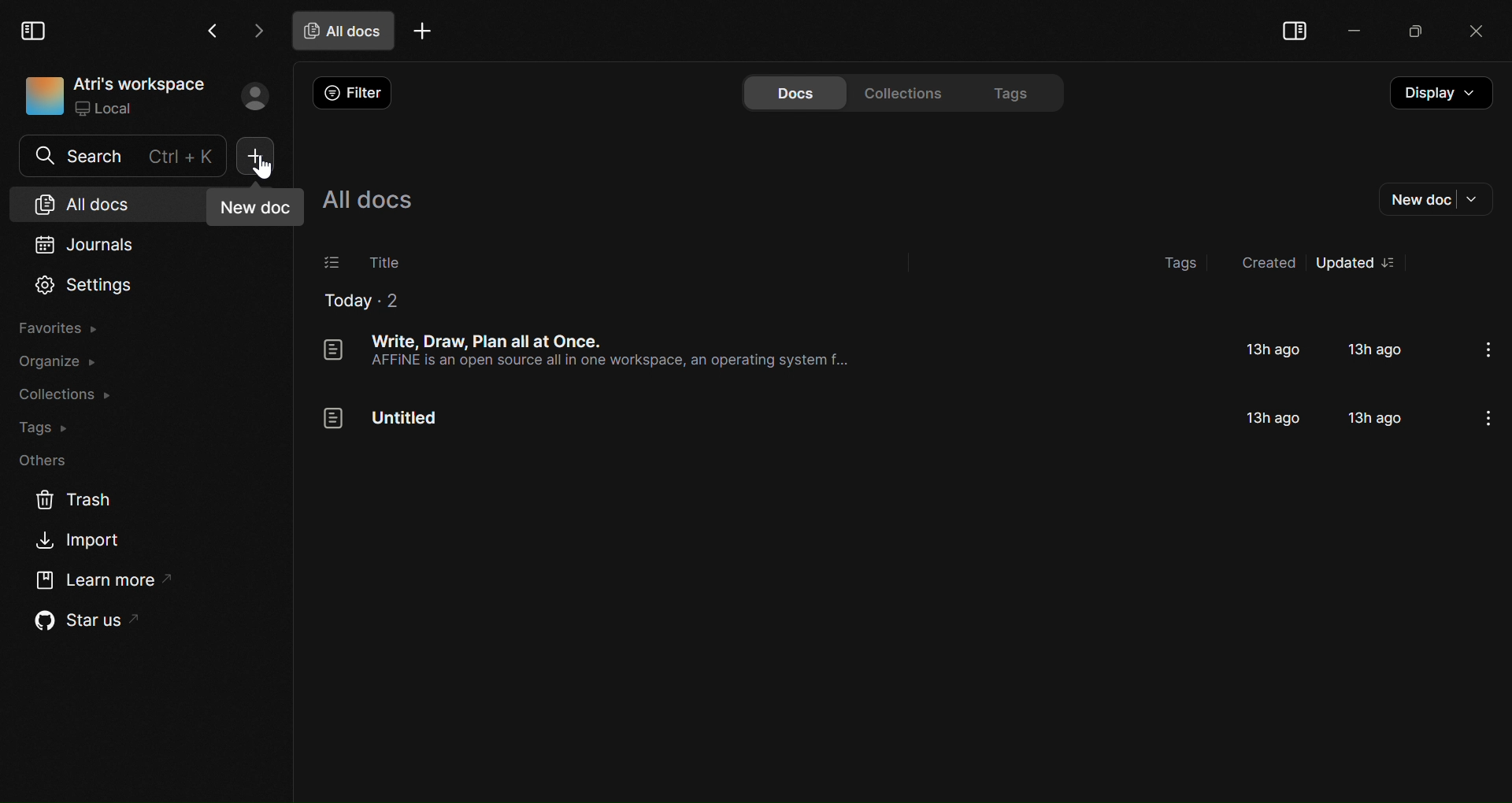 The image size is (1512, 803). What do you see at coordinates (1488, 418) in the screenshot?
I see `options` at bounding box center [1488, 418].